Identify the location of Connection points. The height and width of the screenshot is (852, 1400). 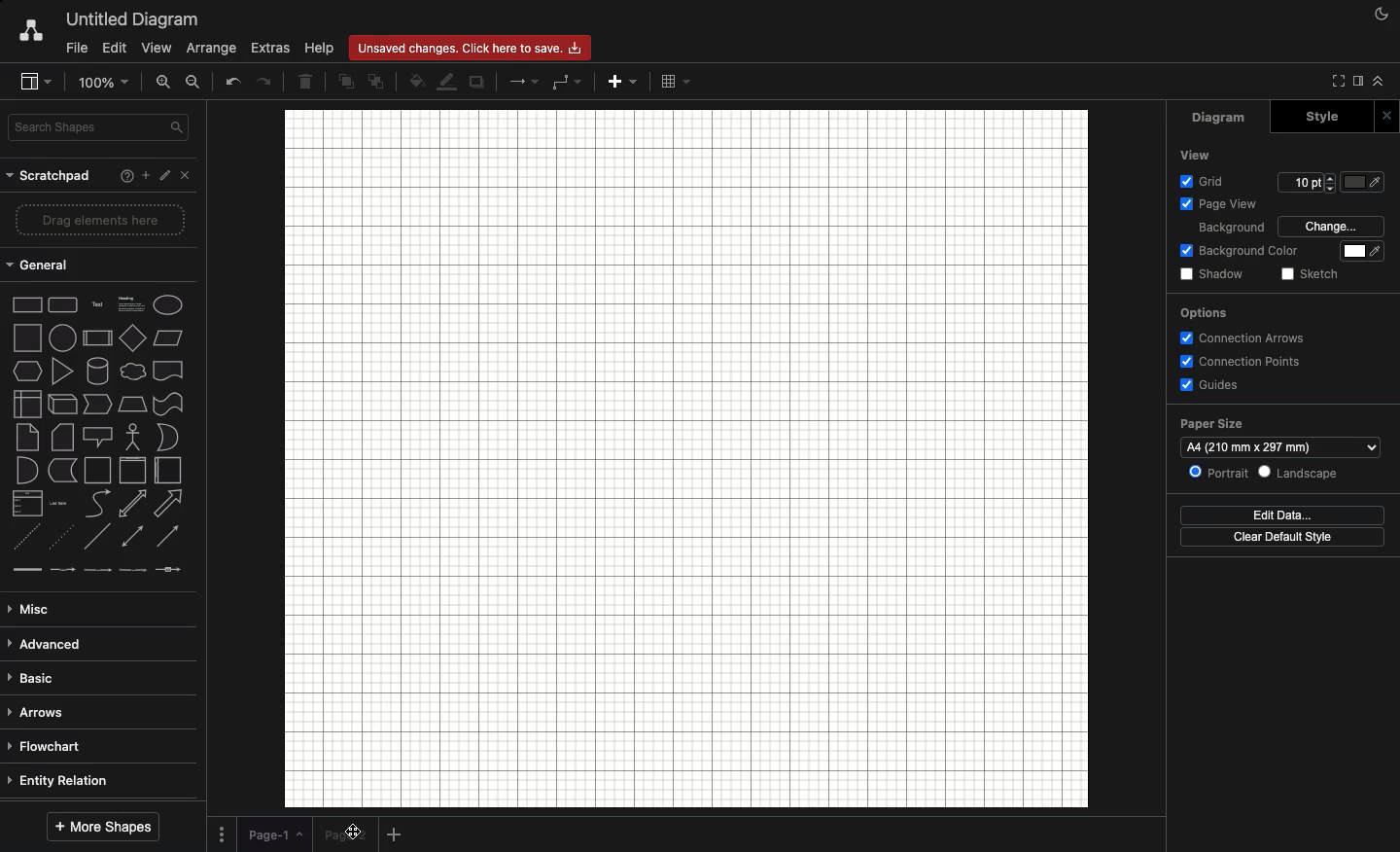
(1244, 360).